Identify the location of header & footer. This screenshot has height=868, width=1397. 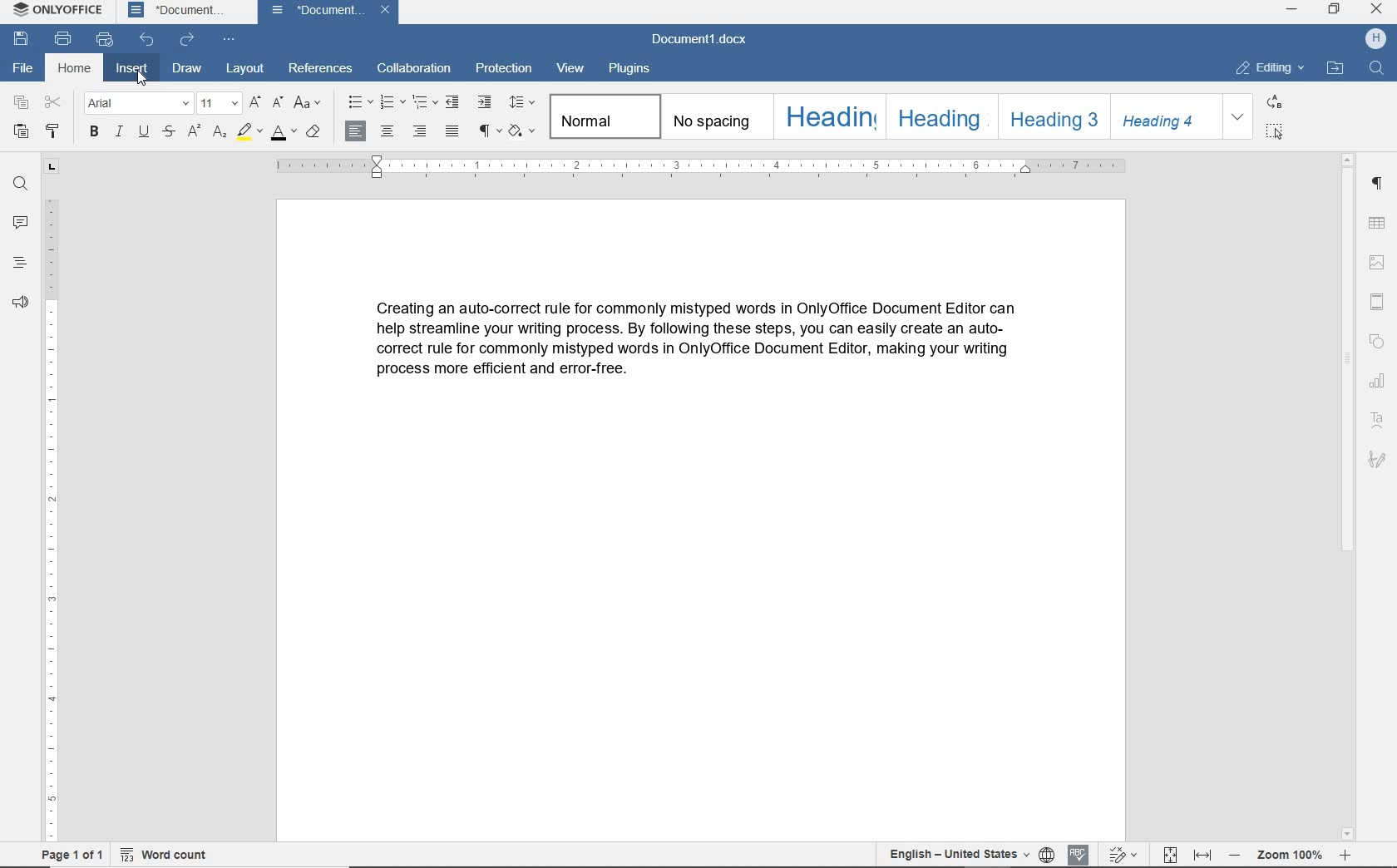
(1380, 298).